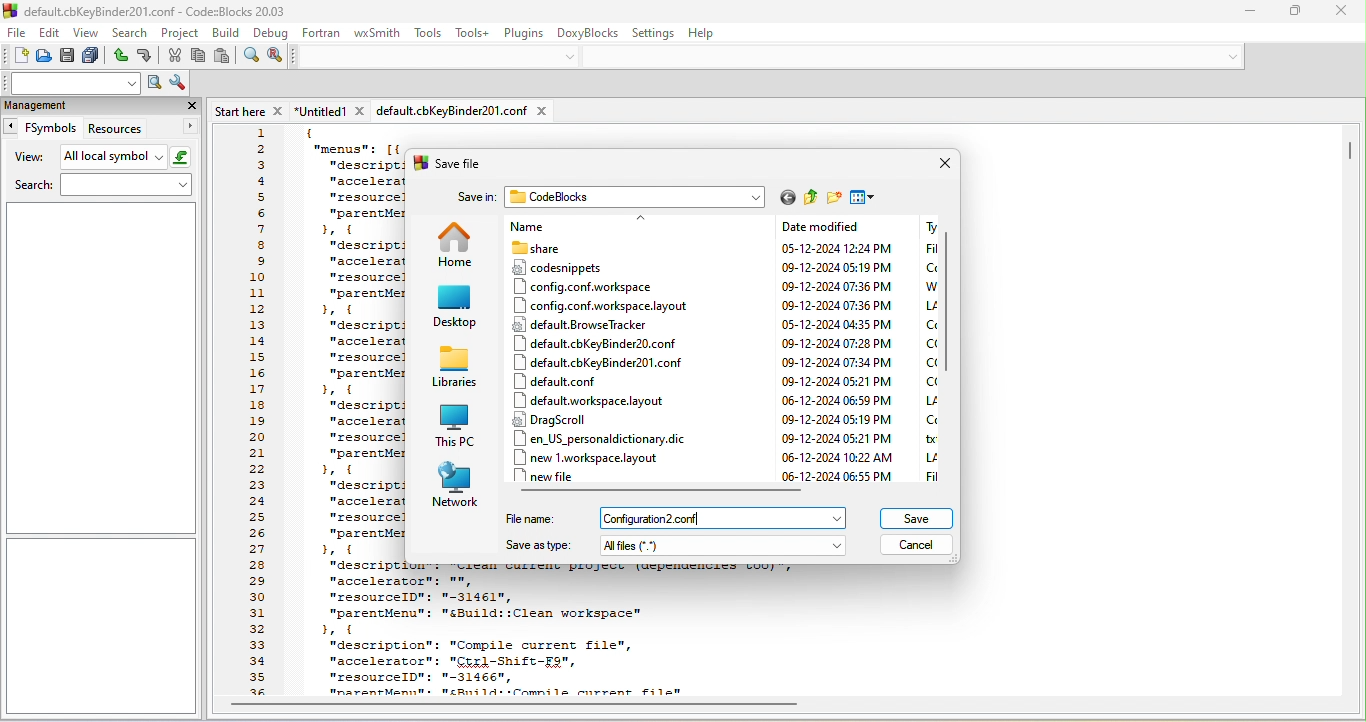 The height and width of the screenshot is (722, 1366). What do you see at coordinates (39, 128) in the screenshot?
I see `fsymbols` at bounding box center [39, 128].